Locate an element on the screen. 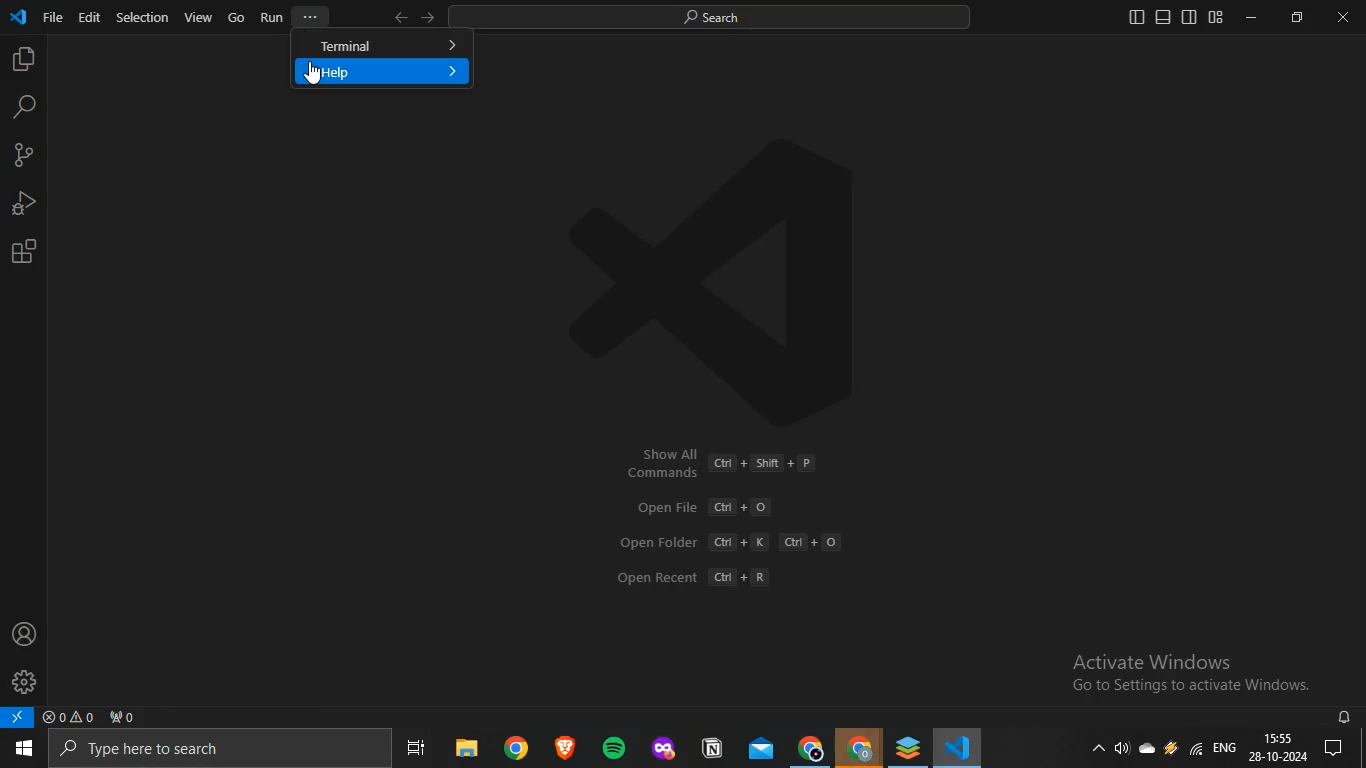 Image resolution: width=1366 pixels, height=768 pixels. outlook is located at coordinates (757, 750).